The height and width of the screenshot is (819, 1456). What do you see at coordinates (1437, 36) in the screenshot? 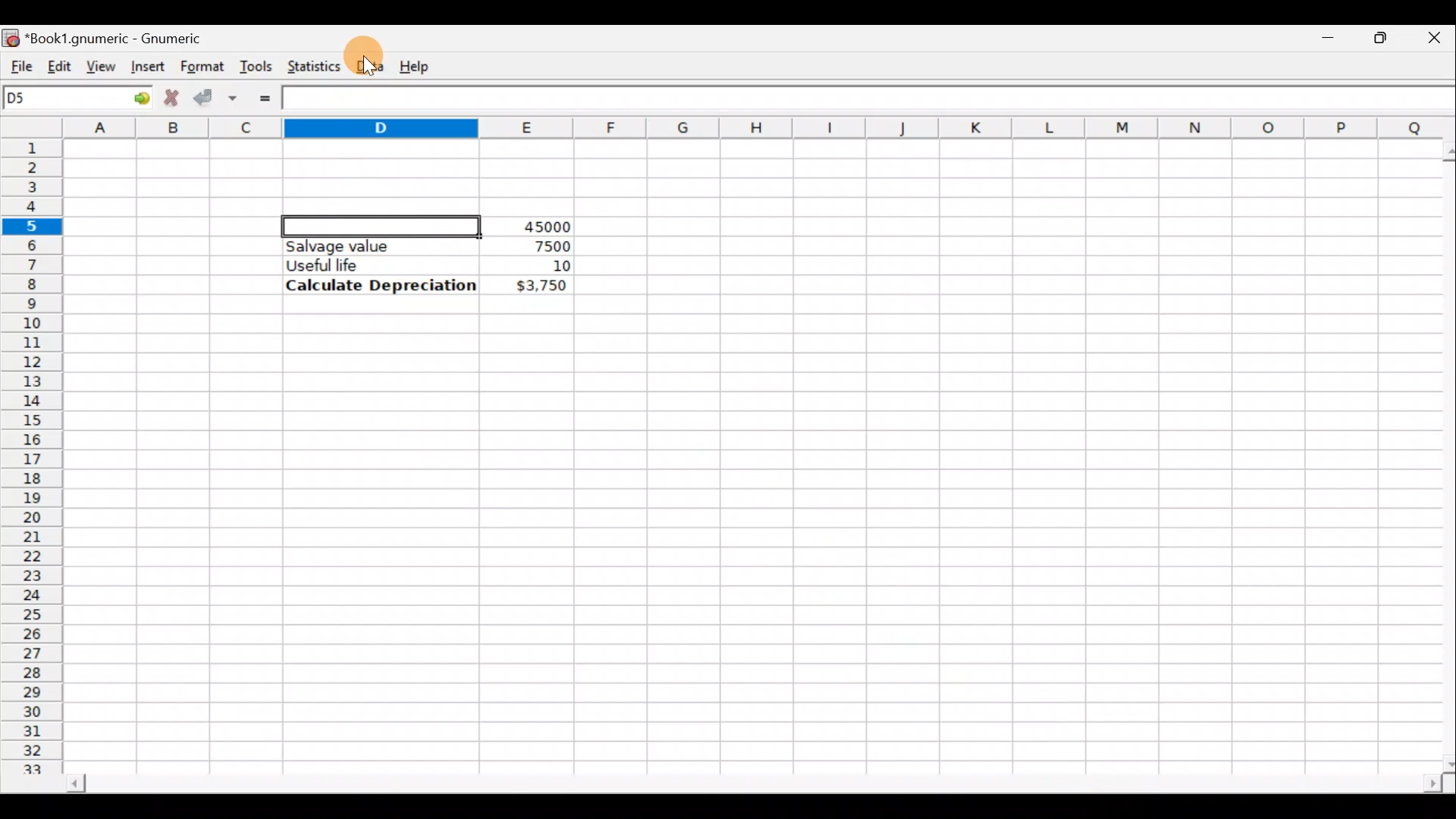
I see `Close` at bounding box center [1437, 36].